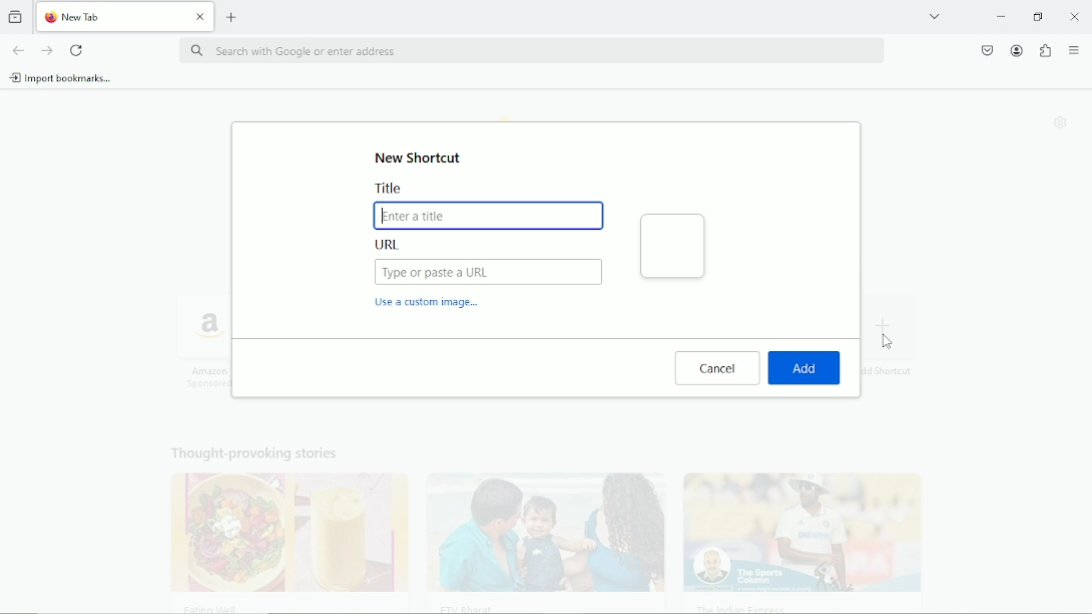 Image resolution: width=1092 pixels, height=614 pixels. Describe the element at coordinates (201, 17) in the screenshot. I see `Close Tab` at that location.